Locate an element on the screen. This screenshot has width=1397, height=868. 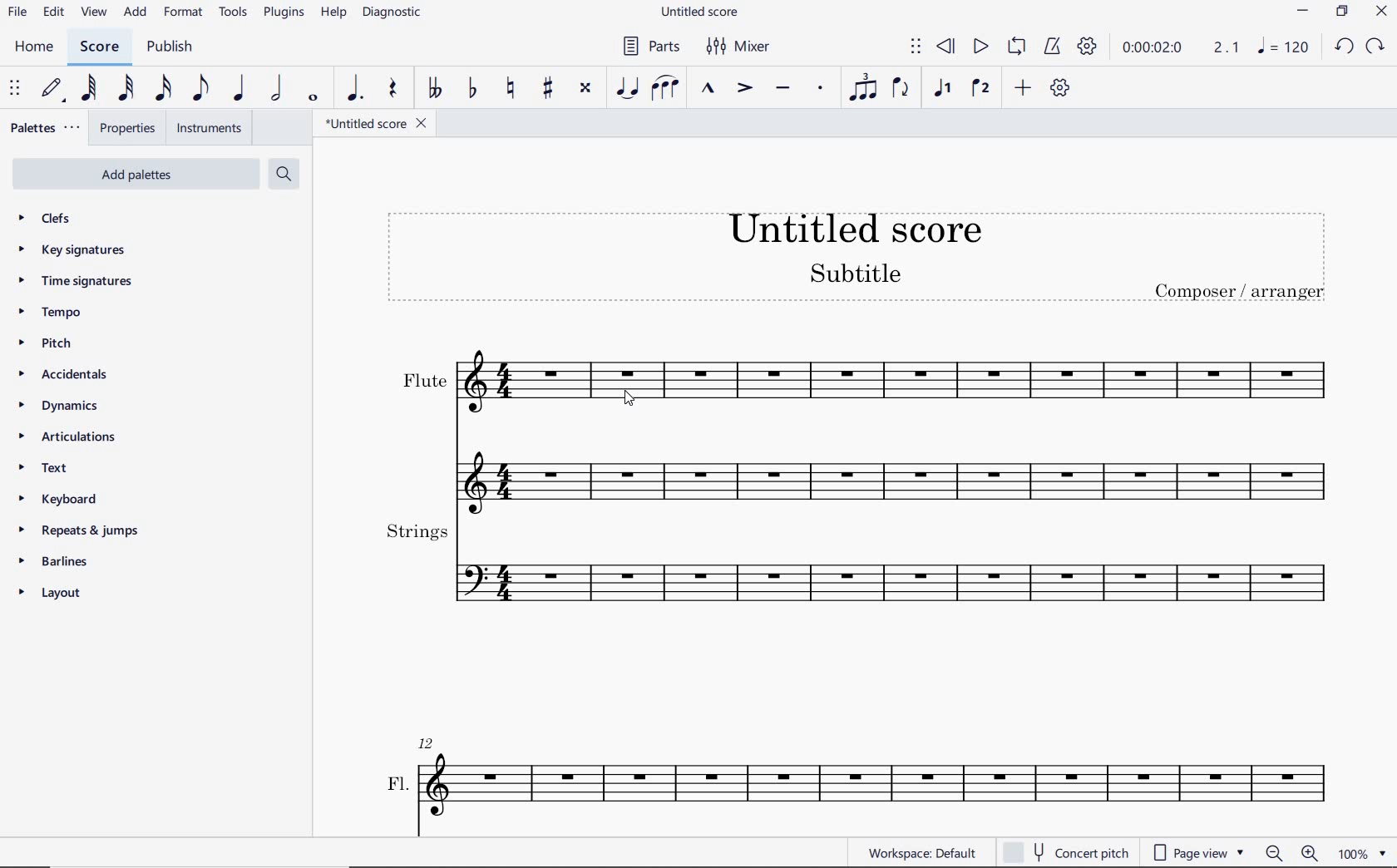
REST is located at coordinates (391, 90).